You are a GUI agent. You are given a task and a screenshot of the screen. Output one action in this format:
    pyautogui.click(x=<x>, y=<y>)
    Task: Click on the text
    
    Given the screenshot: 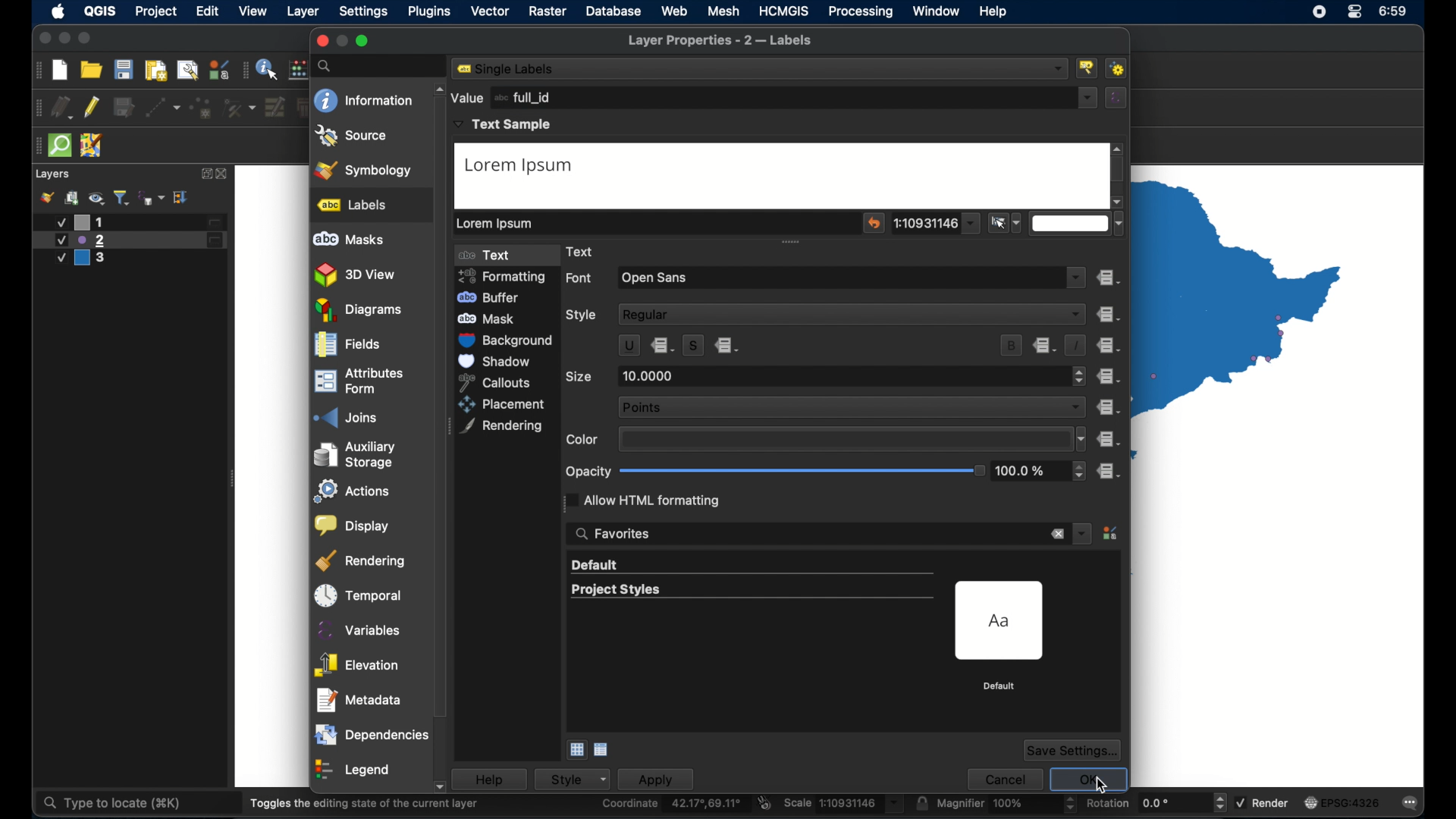 What is the action you would take?
    pyautogui.click(x=492, y=256)
    